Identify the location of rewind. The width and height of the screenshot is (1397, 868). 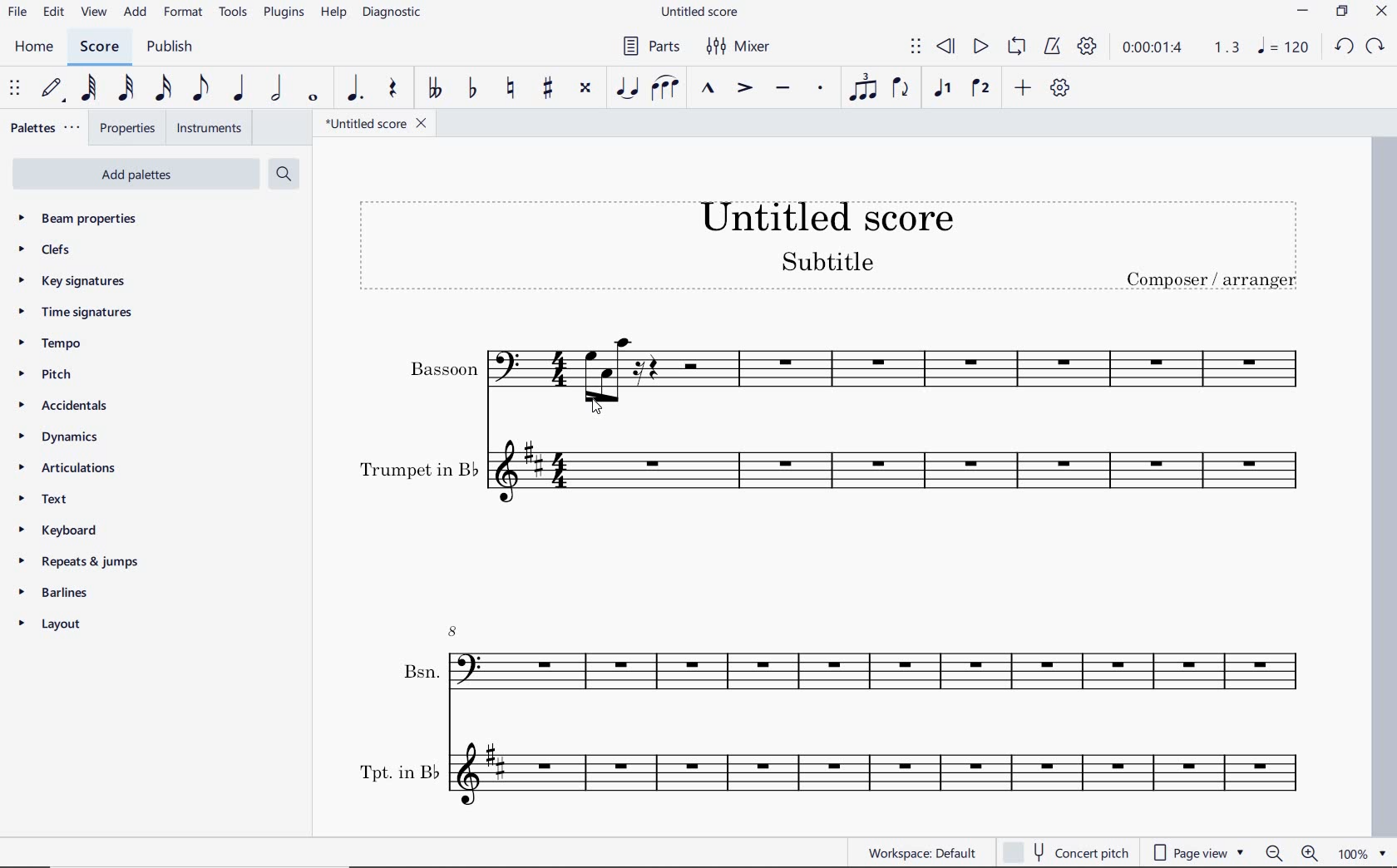
(946, 47).